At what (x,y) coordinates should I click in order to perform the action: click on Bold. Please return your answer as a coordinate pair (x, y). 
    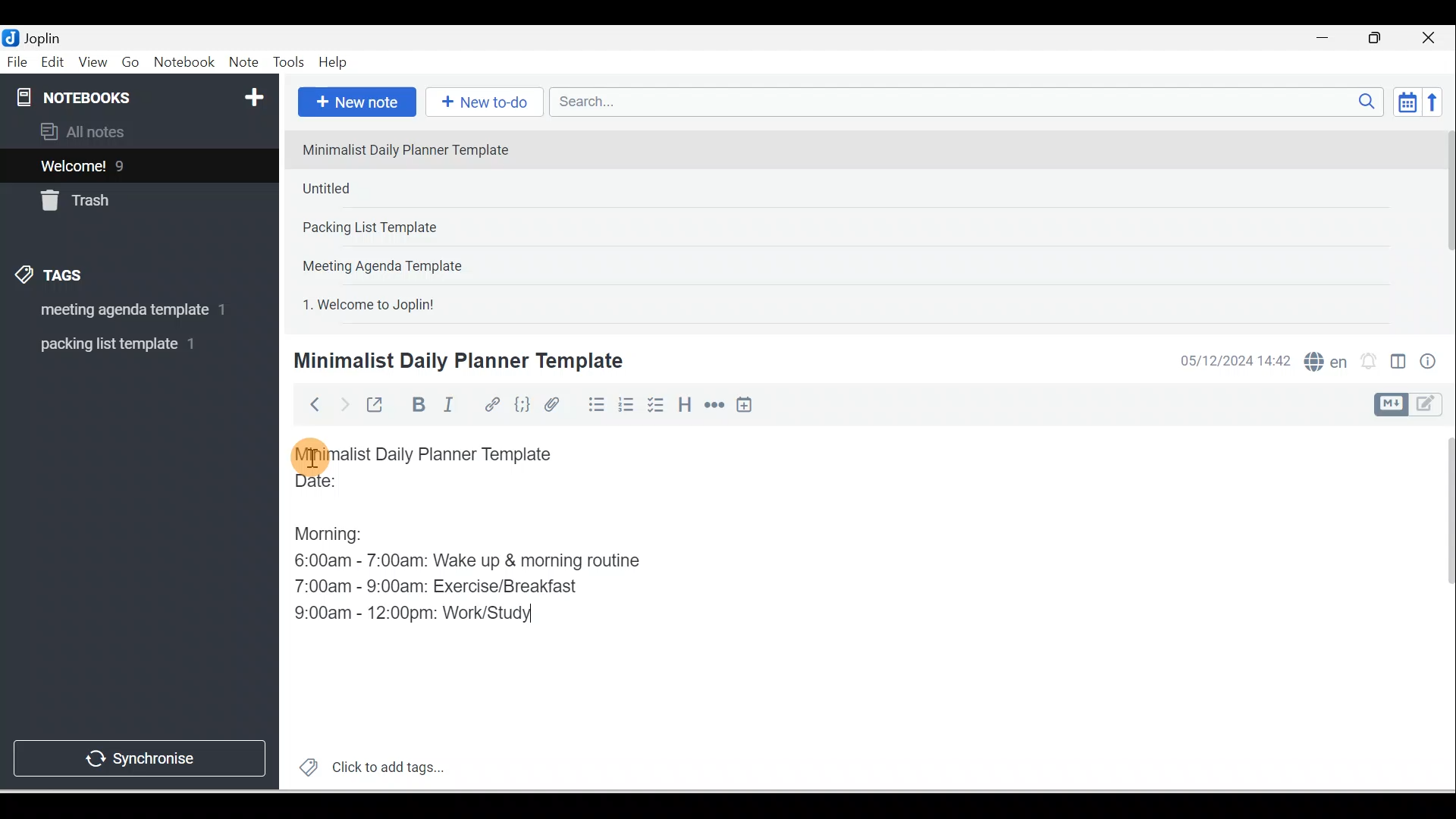
    Looking at the image, I should click on (416, 405).